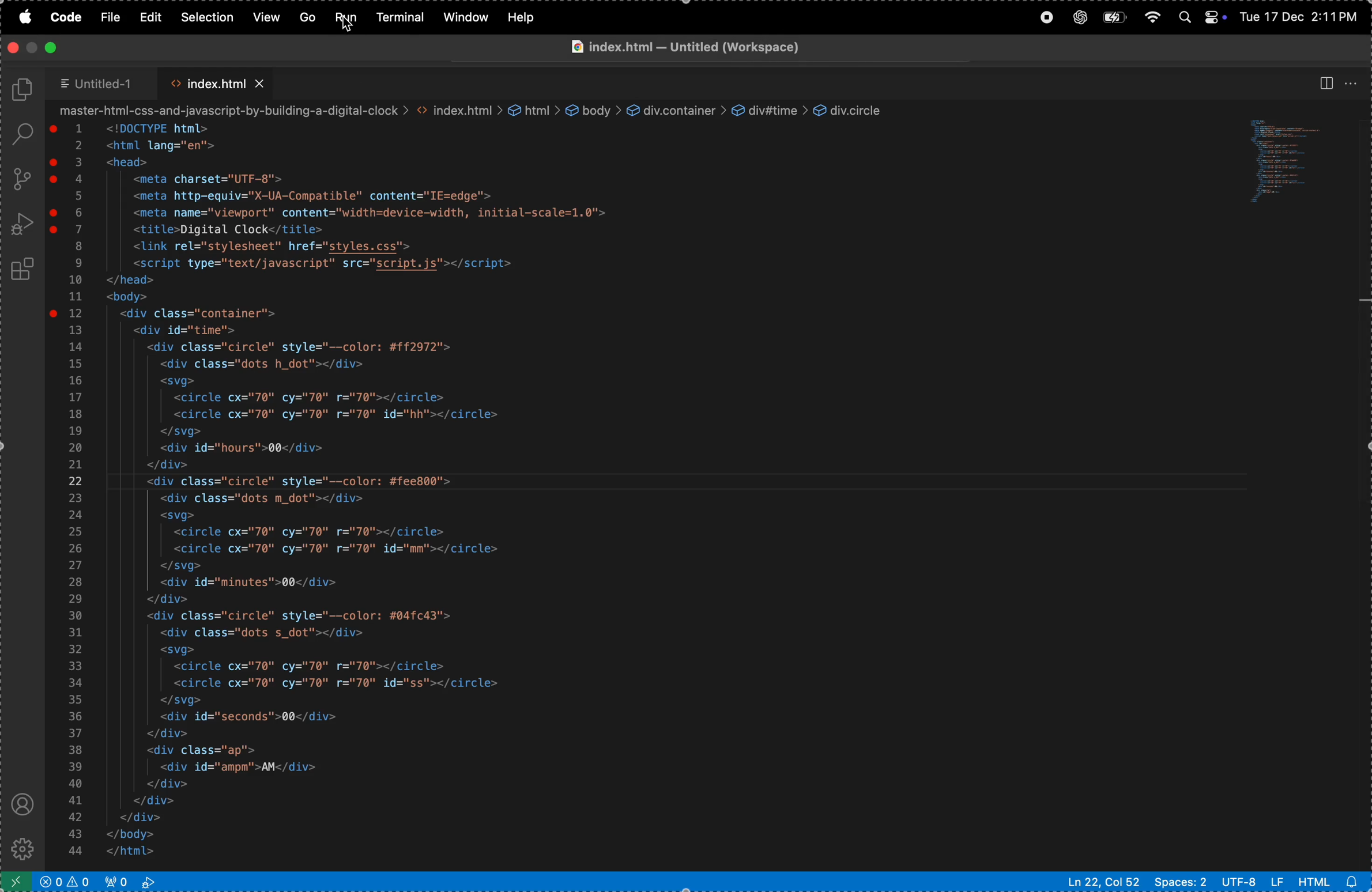  I want to click on source control, so click(21, 179).